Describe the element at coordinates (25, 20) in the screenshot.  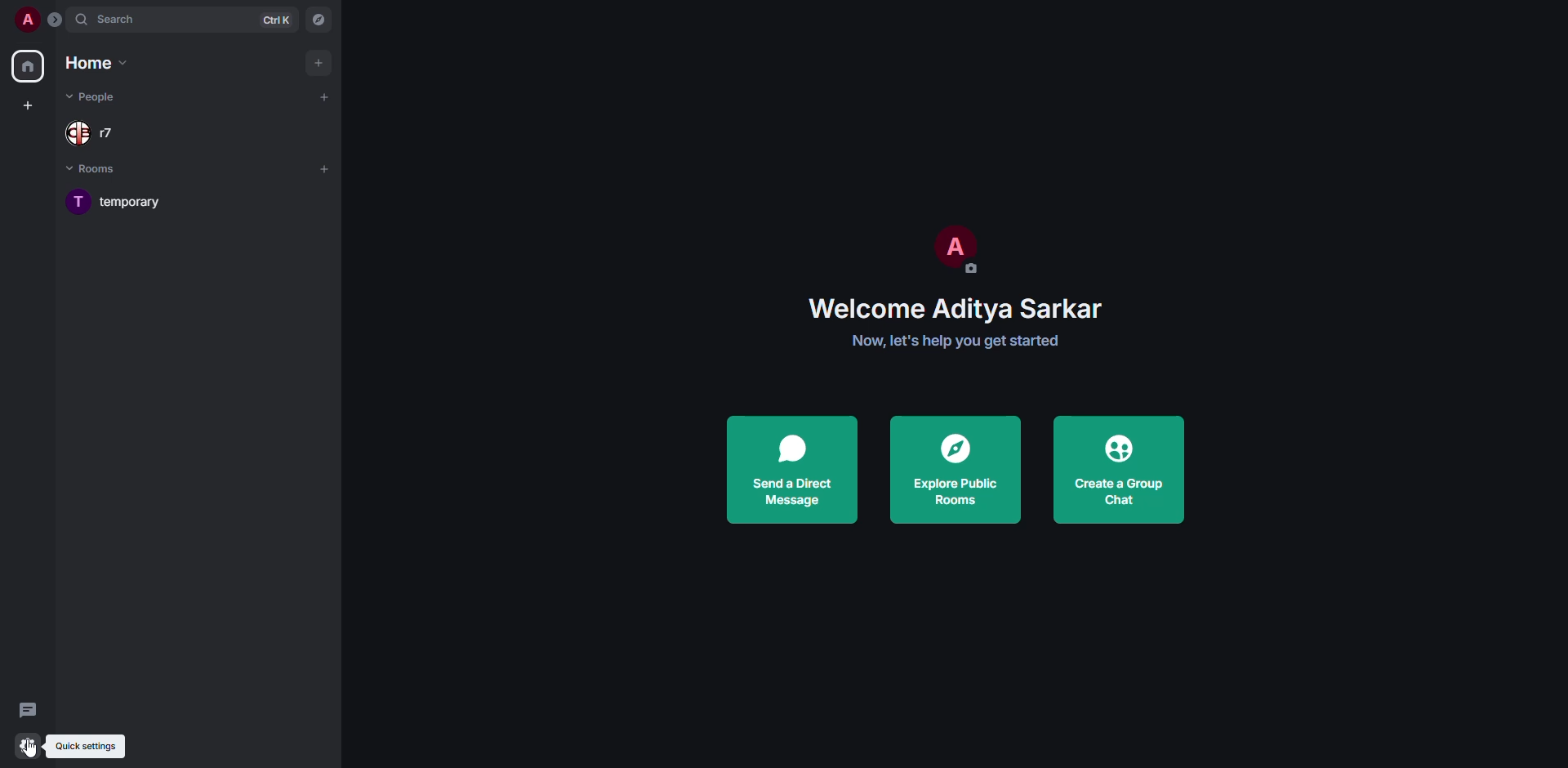
I see `profile` at that location.